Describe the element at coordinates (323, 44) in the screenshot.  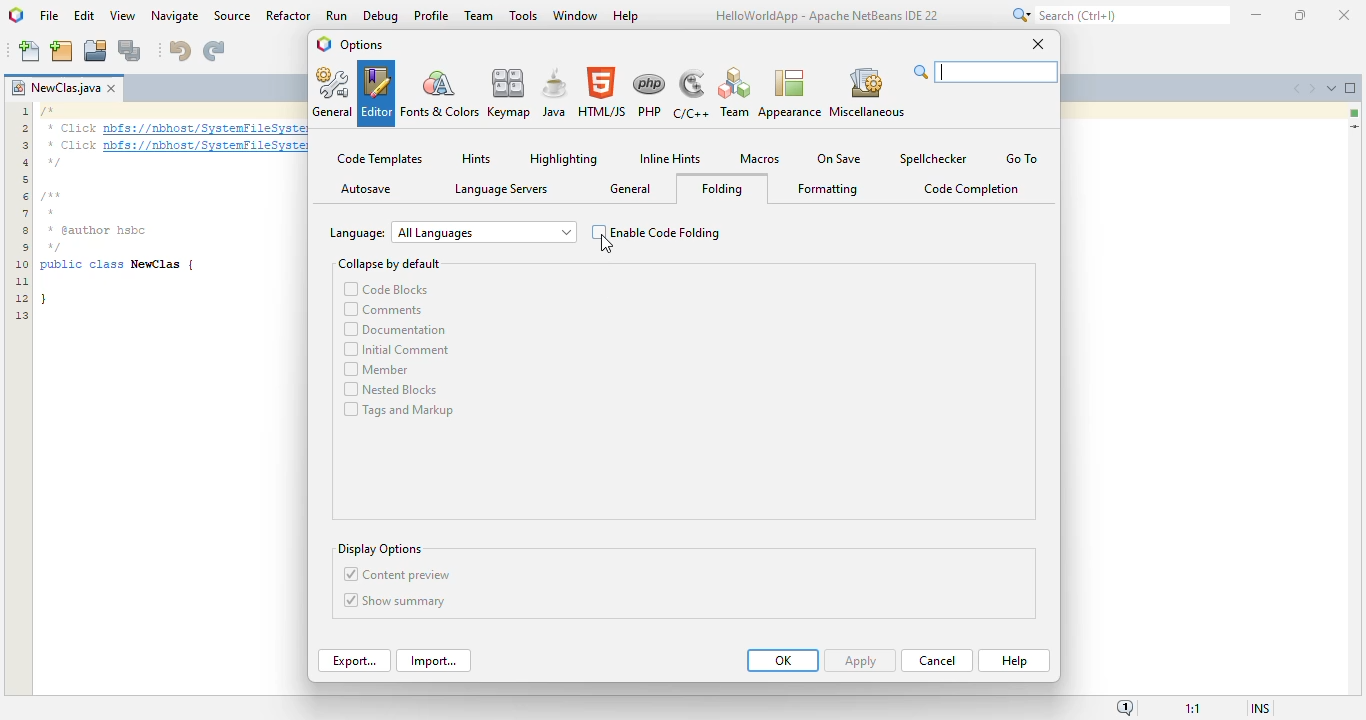
I see `logo` at that location.